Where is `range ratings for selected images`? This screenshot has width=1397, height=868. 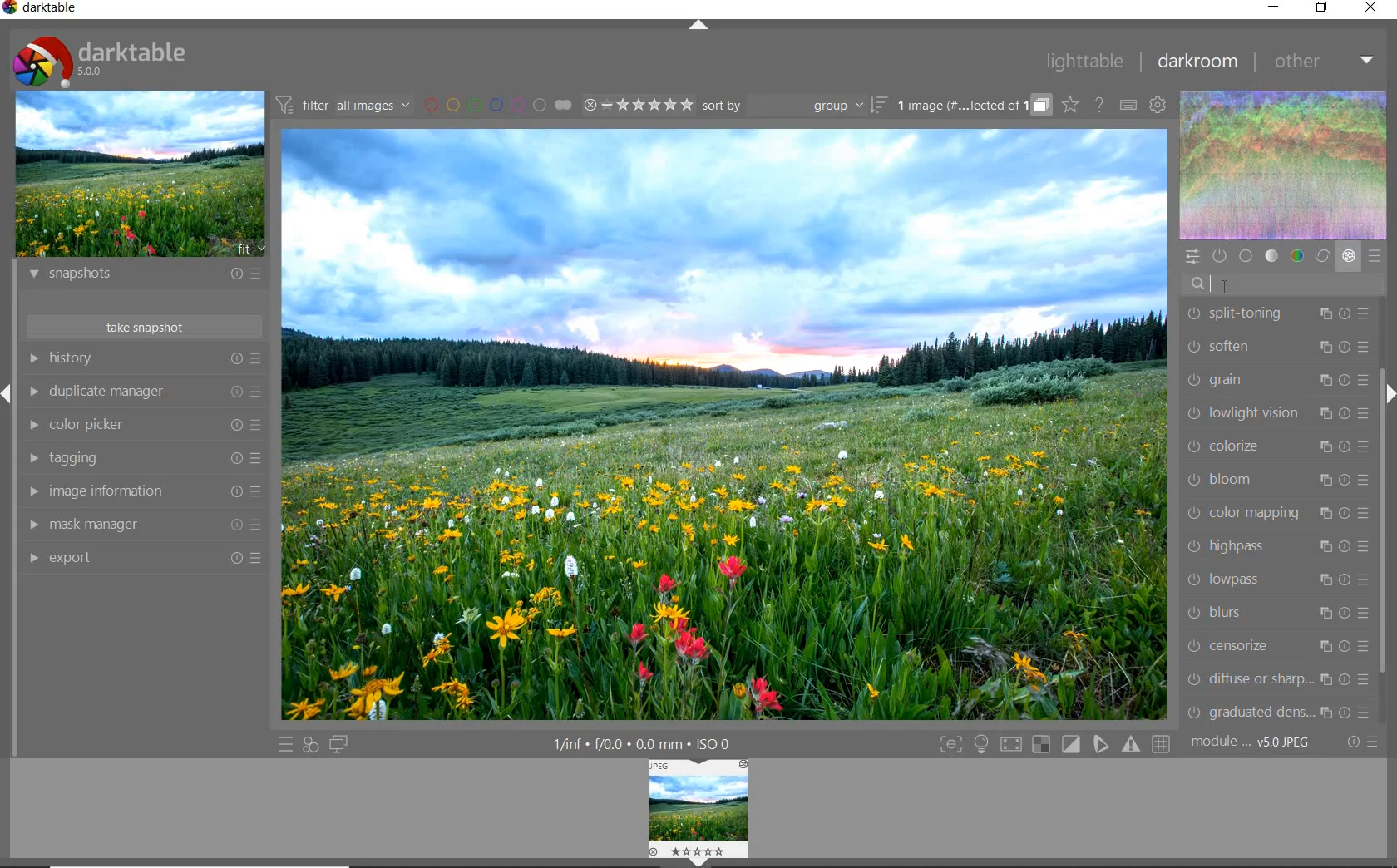
range ratings for selected images is located at coordinates (639, 105).